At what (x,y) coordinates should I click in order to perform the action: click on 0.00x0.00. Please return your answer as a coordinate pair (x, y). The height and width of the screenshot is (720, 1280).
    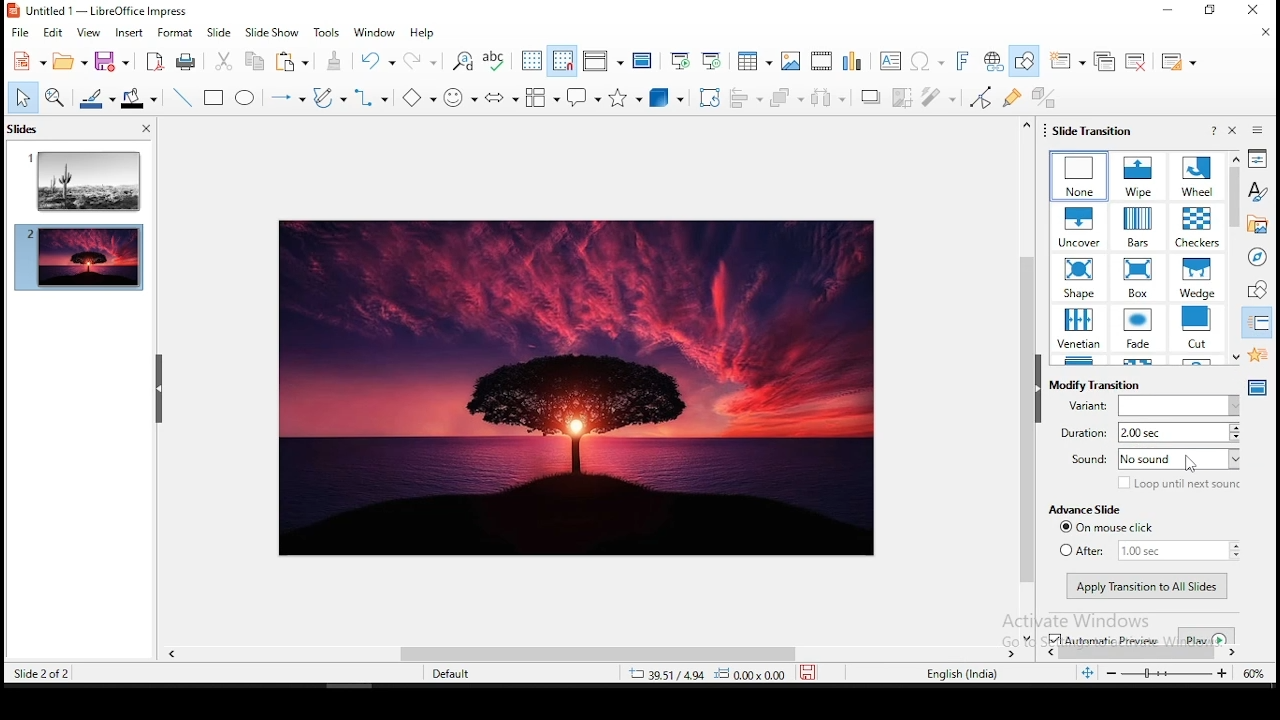
    Looking at the image, I should click on (750, 675).